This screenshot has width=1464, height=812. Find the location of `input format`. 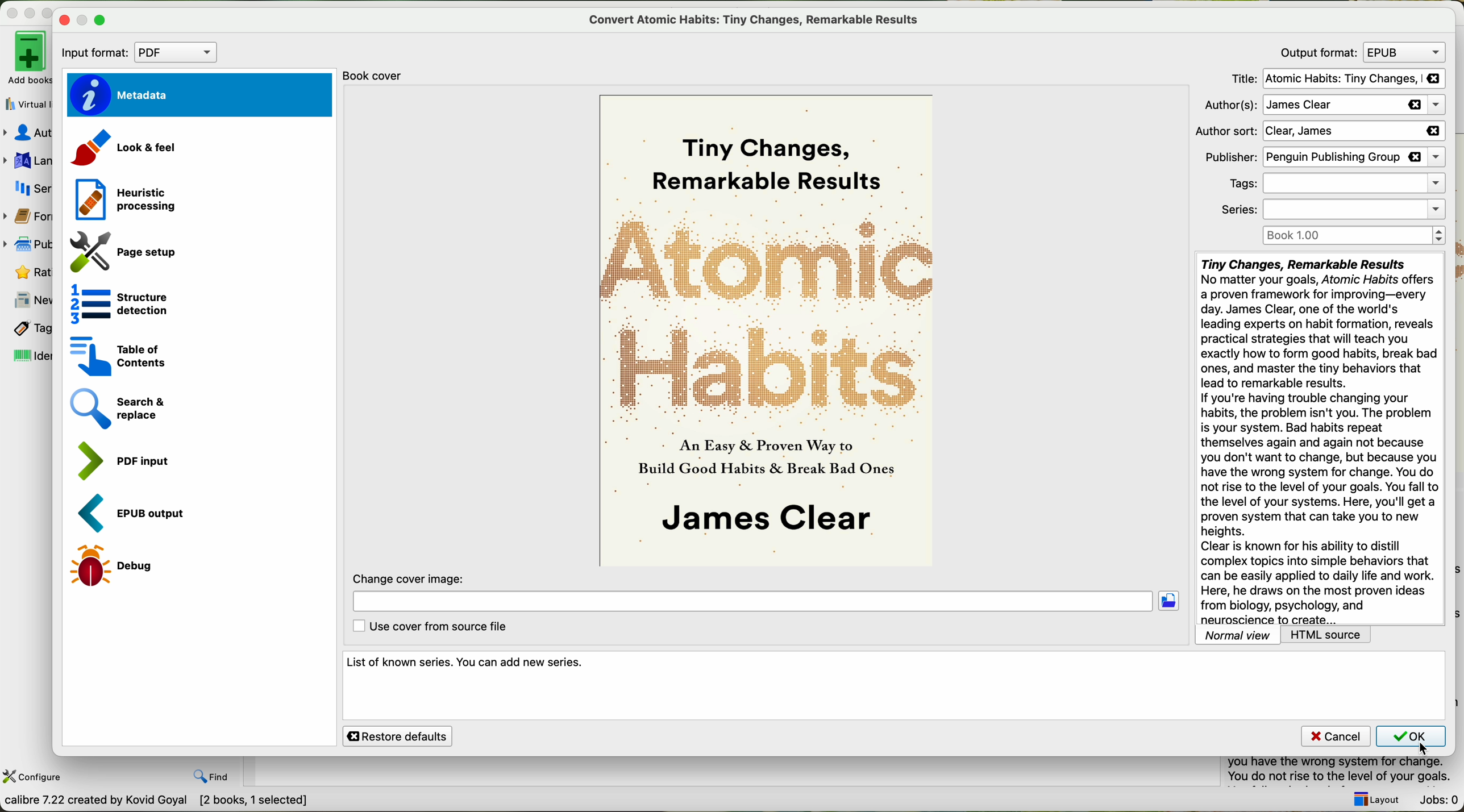

input format is located at coordinates (135, 52).